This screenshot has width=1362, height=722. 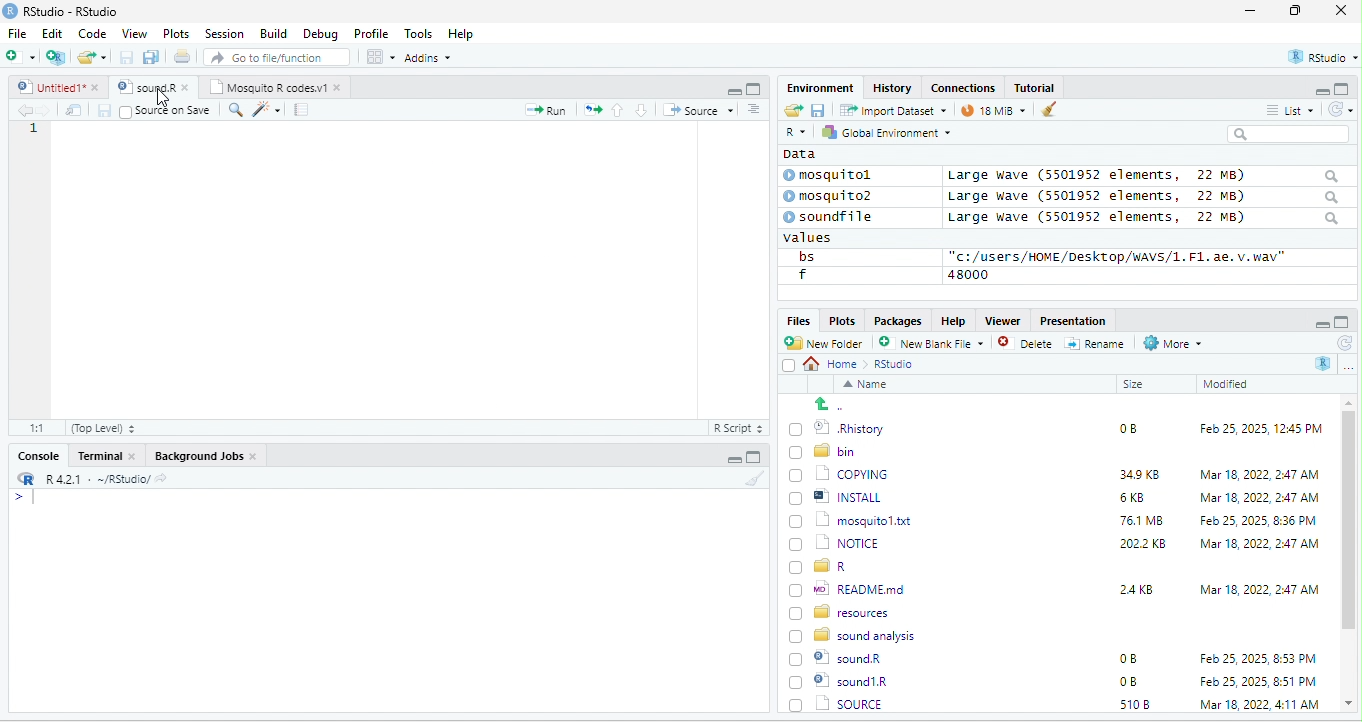 I want to click on © sound1R, so click(x=842, y=660).